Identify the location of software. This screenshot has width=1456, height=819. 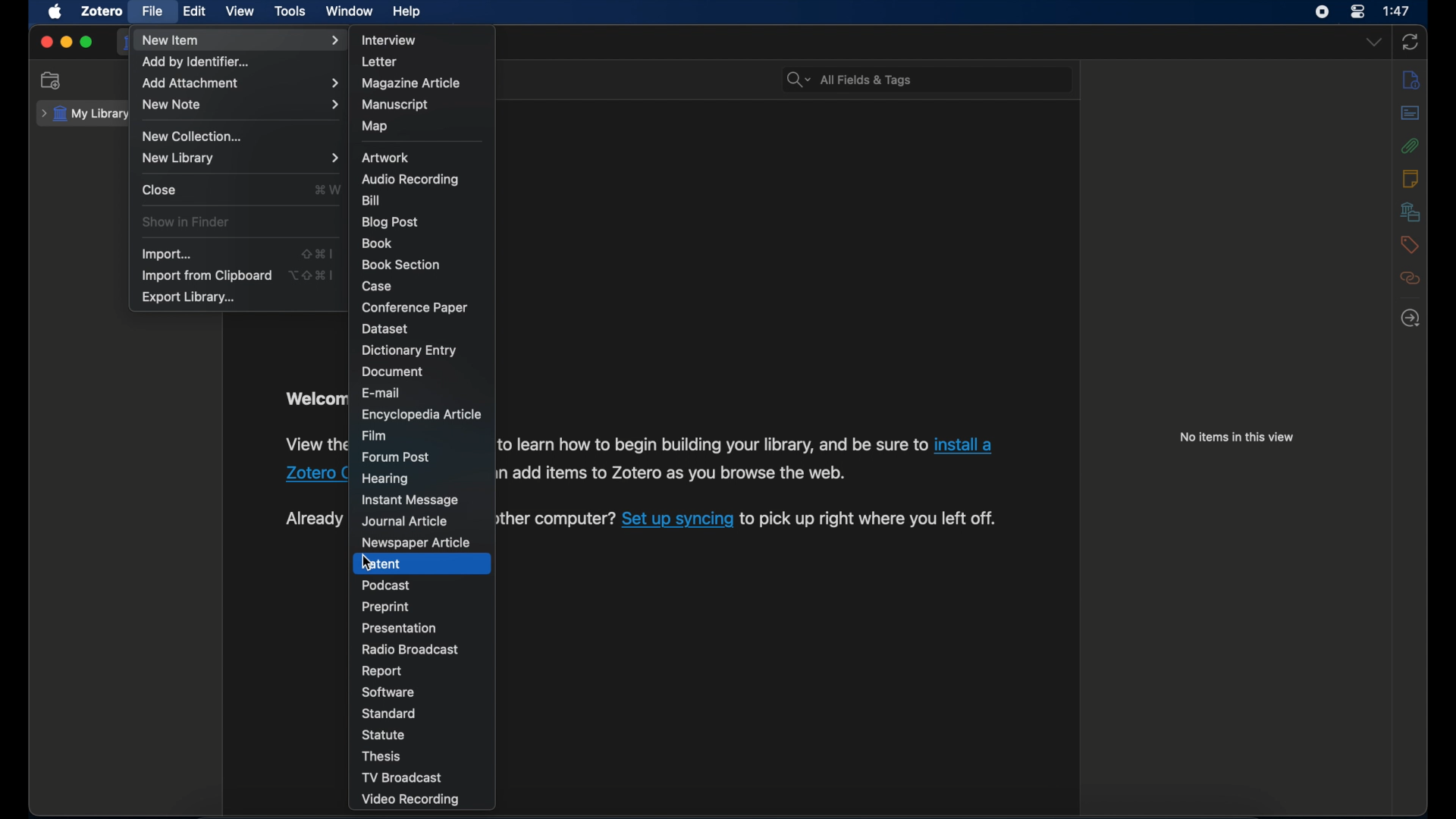
(388, 692).